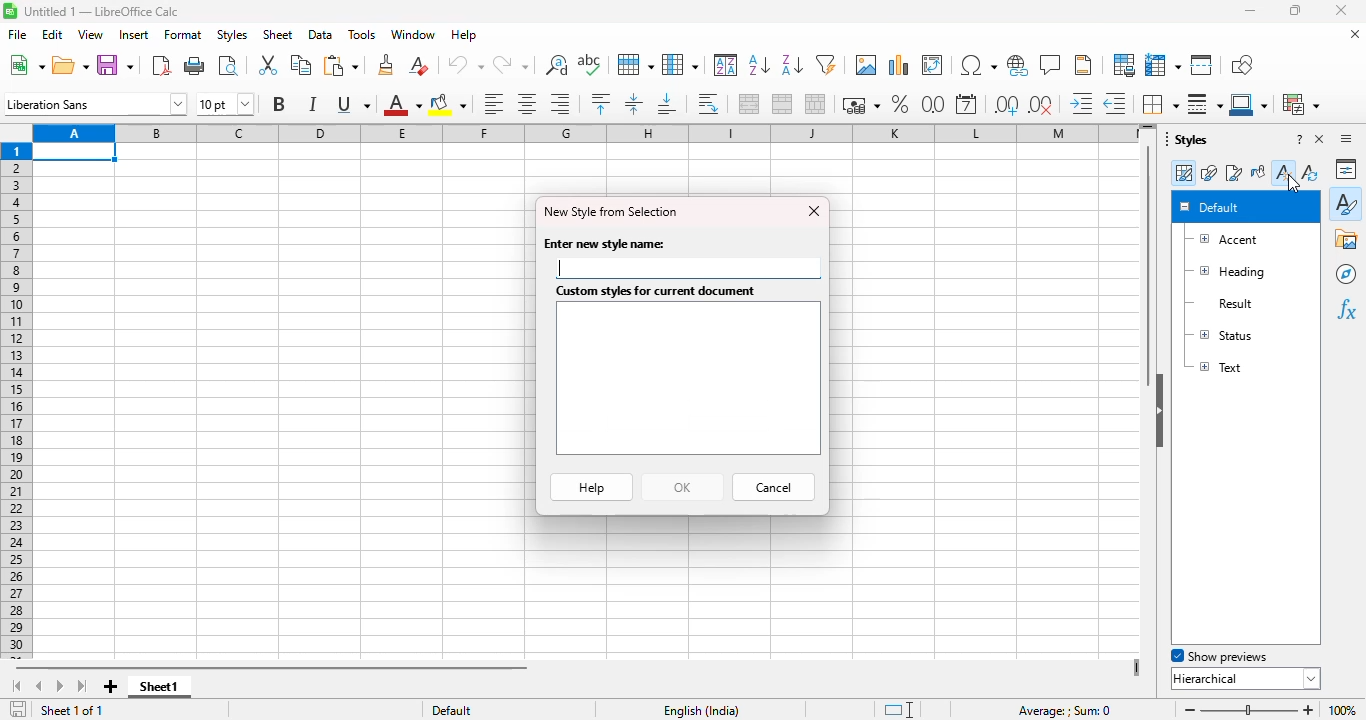 The width and height of the screenshot is (1366, 720). Describe the element at coordinates (1342, 710) in the screenshot. I see `zoom factor` at that location.